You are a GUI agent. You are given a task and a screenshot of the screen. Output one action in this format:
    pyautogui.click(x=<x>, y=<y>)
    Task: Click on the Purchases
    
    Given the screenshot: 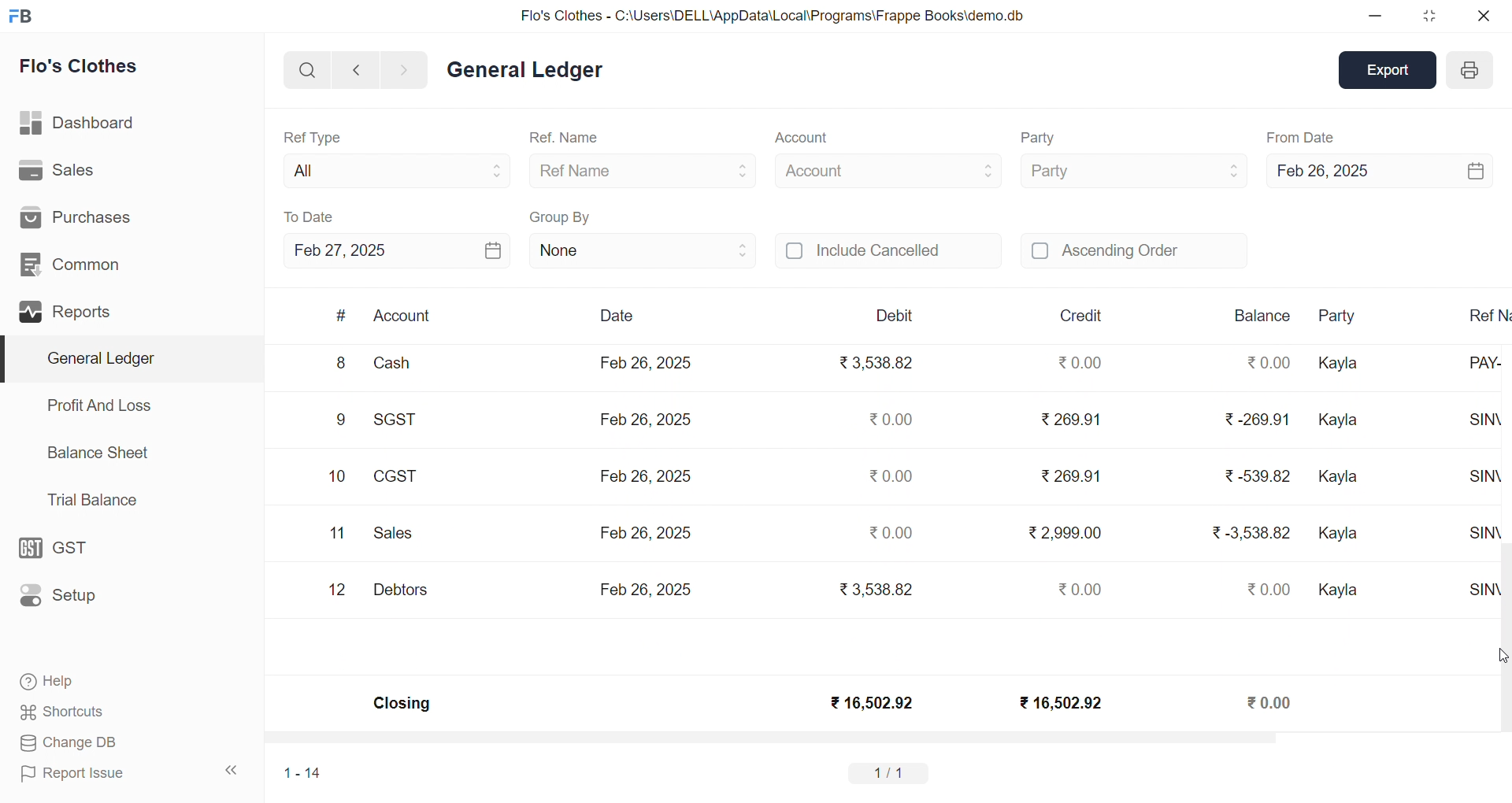 What is the action you would take?
    pyautogui.click(x=84, y=216)
    